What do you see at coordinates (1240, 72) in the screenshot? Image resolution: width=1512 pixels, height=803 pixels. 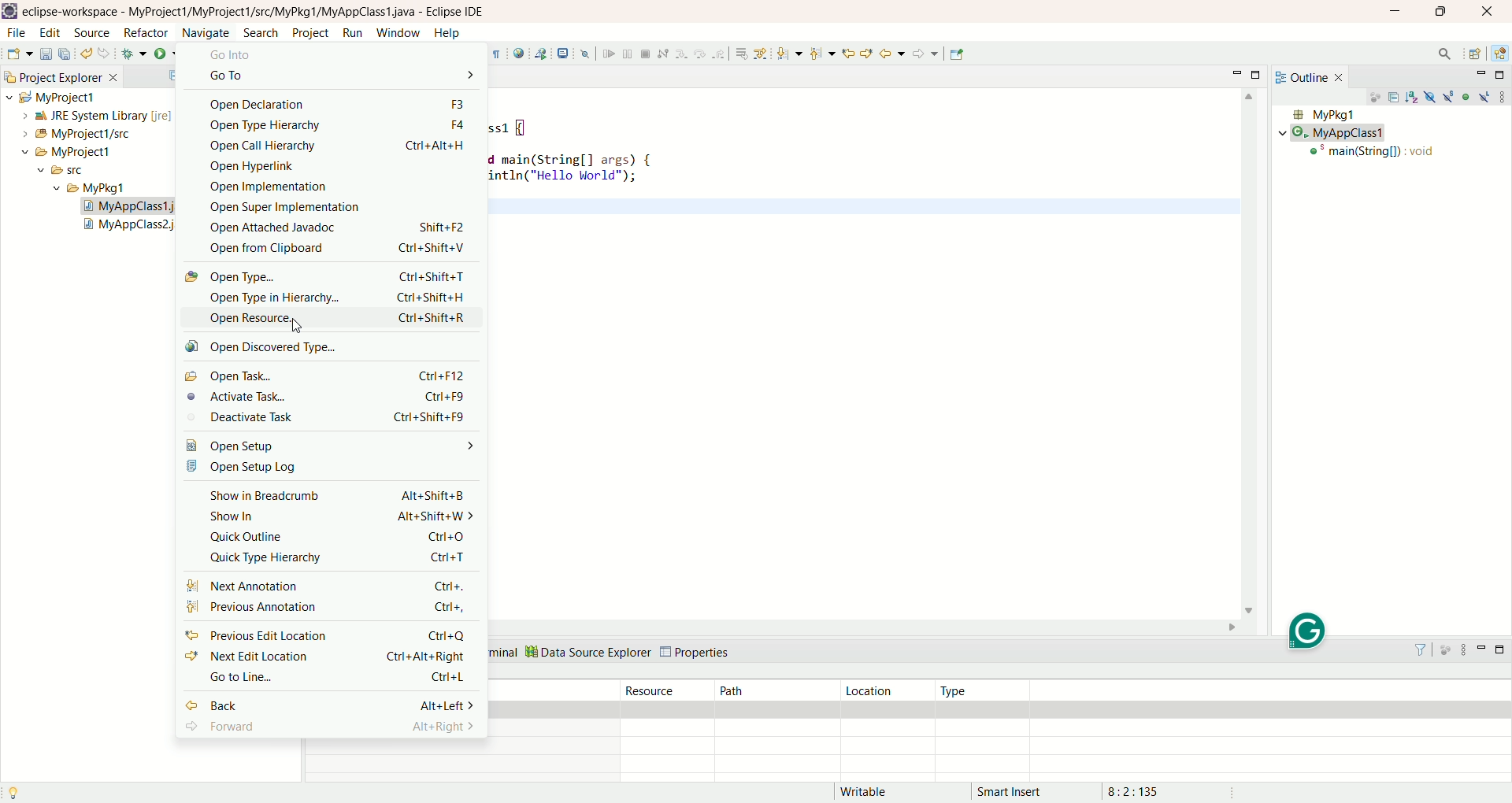 I see `minimize` at bounding box center [1240, 72].